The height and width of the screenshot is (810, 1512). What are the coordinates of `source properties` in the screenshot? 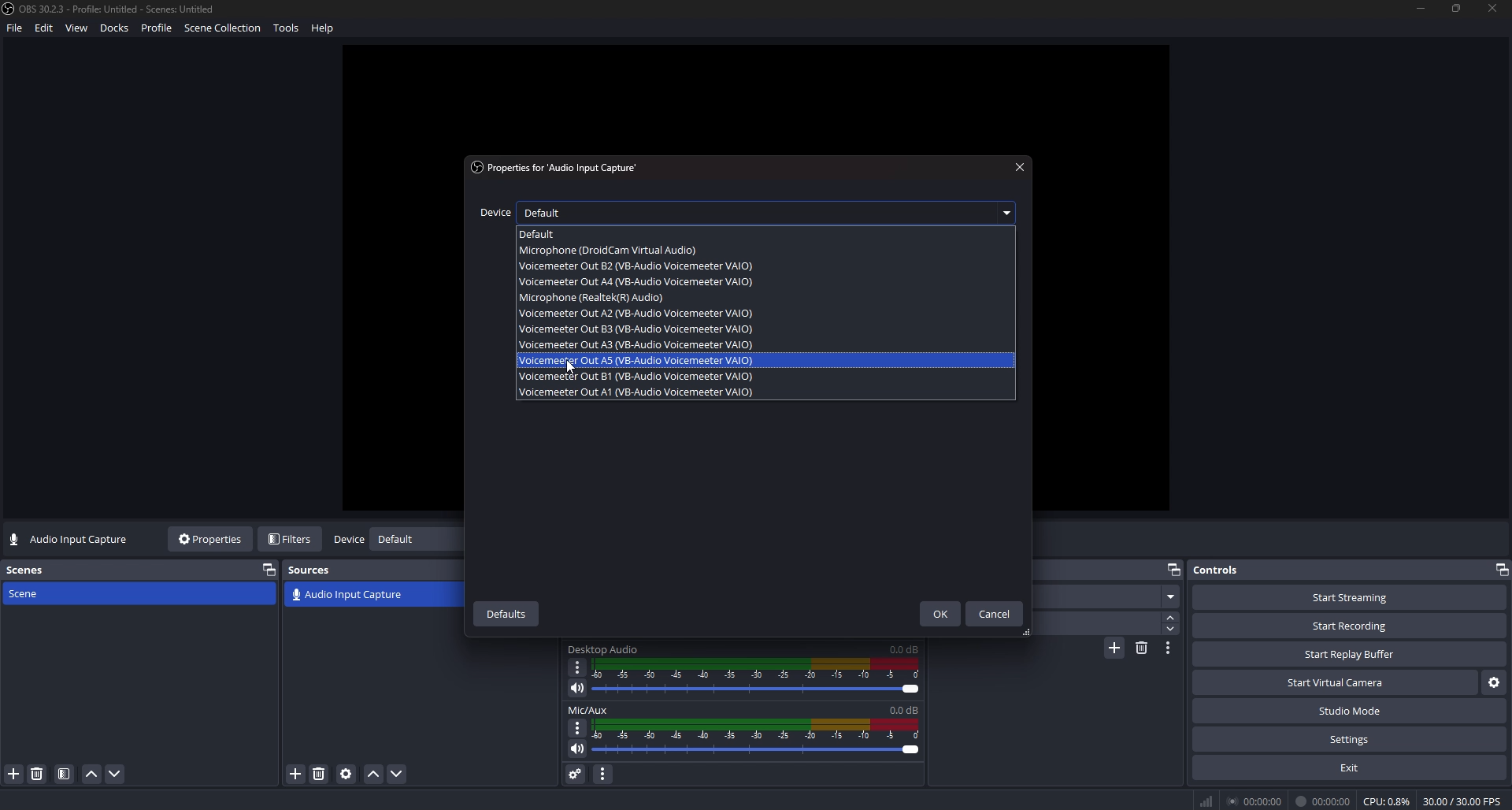 It's located at (346, 774).